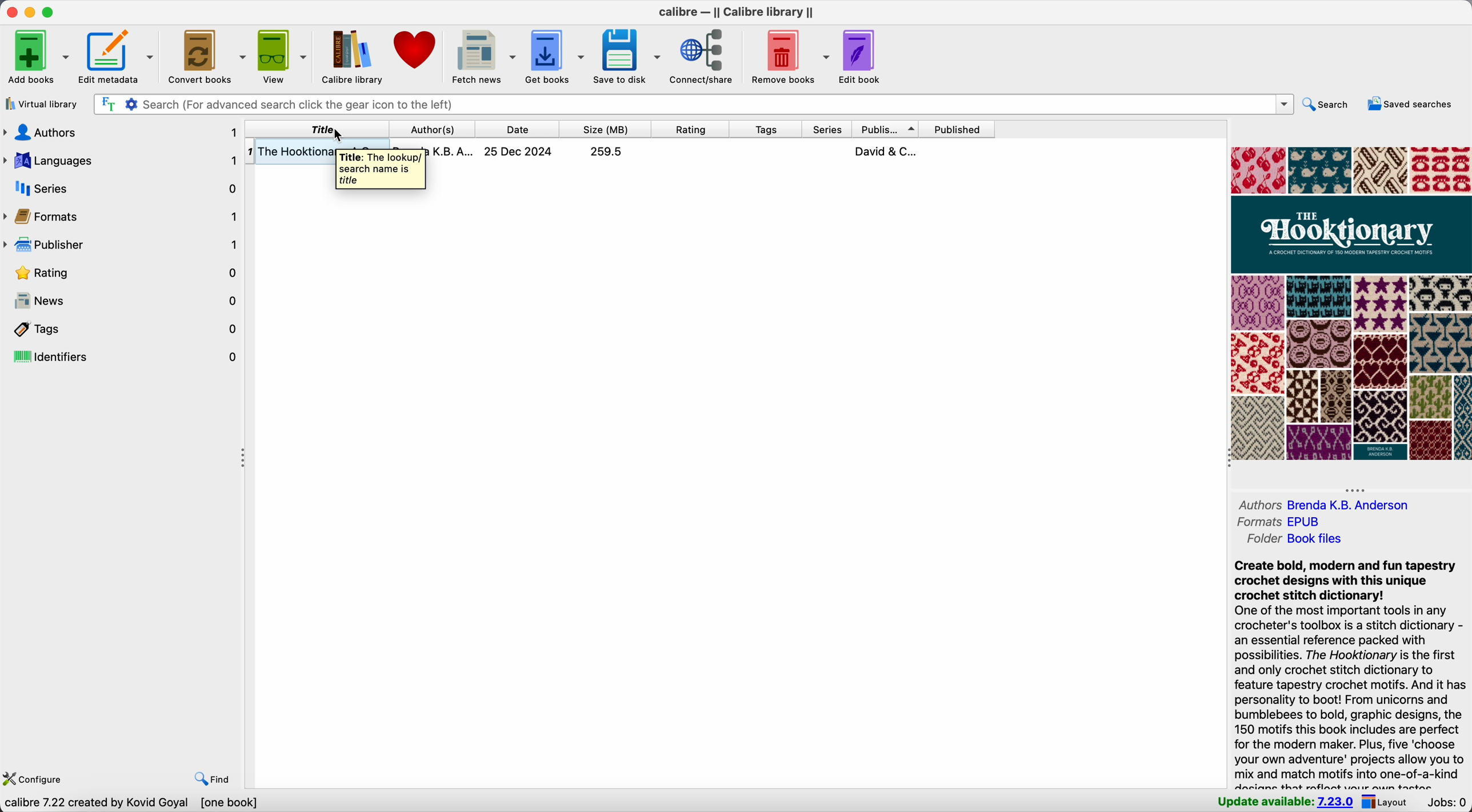  What do you see at coordinates (41, 105) in the screenshot?
I see `virtual library` at bounding box center [41, 105].